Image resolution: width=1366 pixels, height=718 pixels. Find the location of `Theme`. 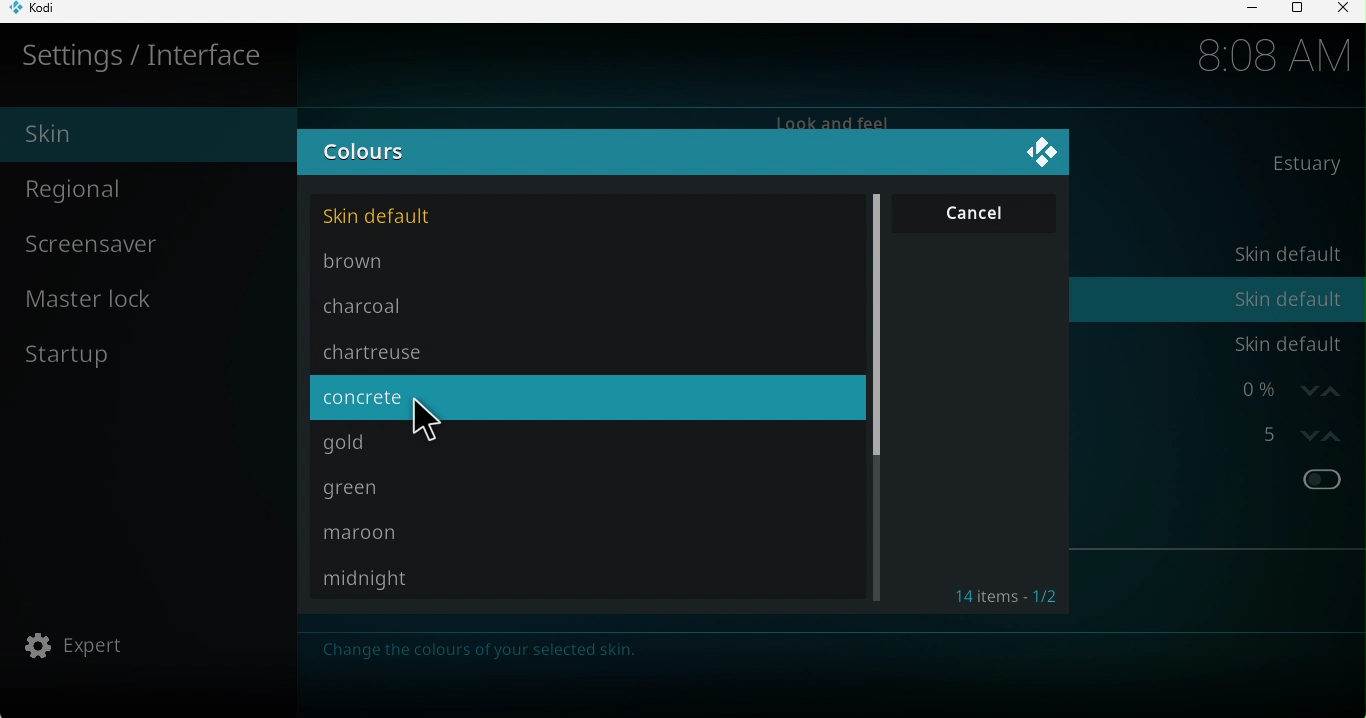

Theme is located at coordinates (1213, 252).